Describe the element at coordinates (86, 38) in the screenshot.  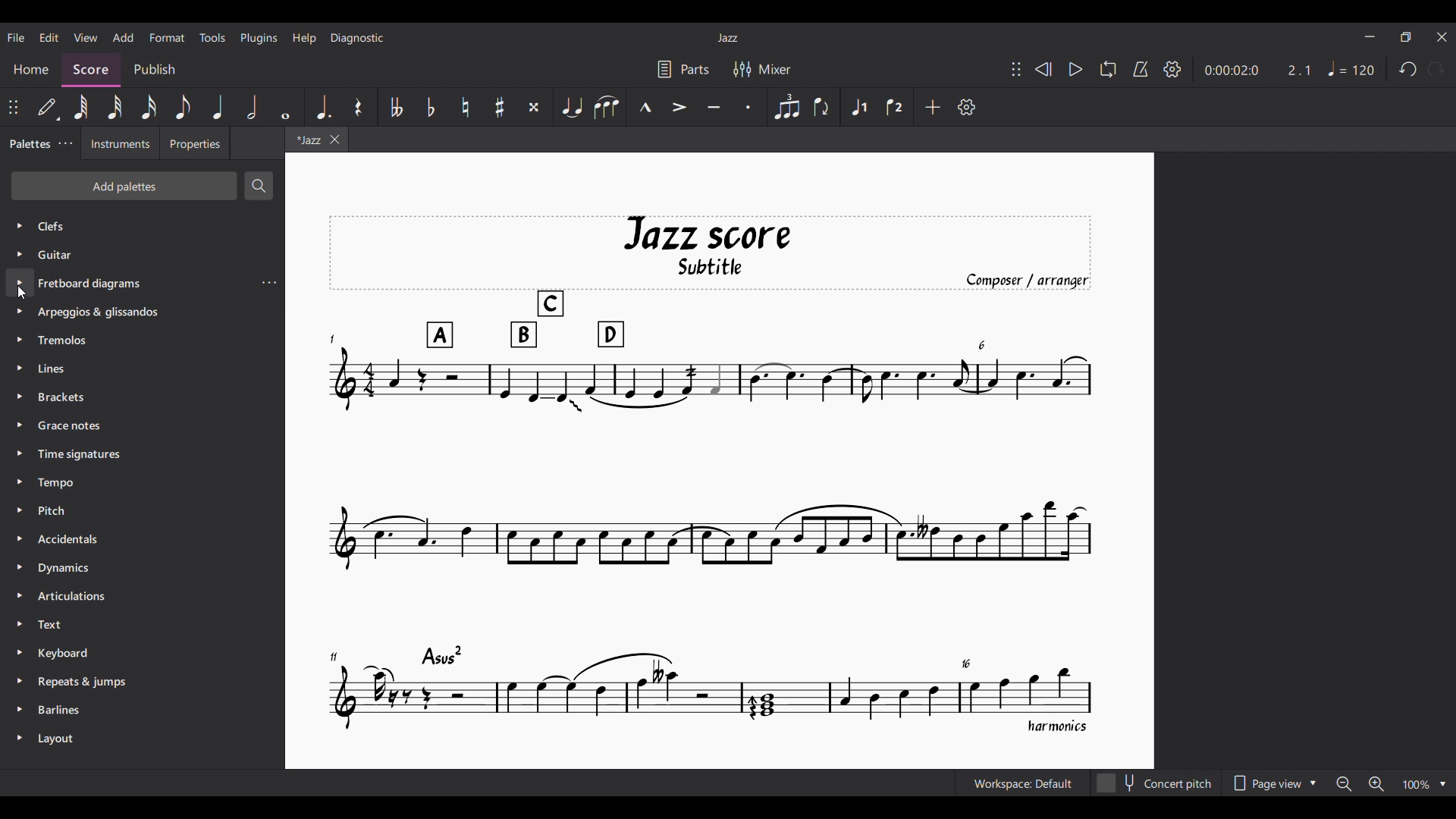
I see `View menu` at that location.